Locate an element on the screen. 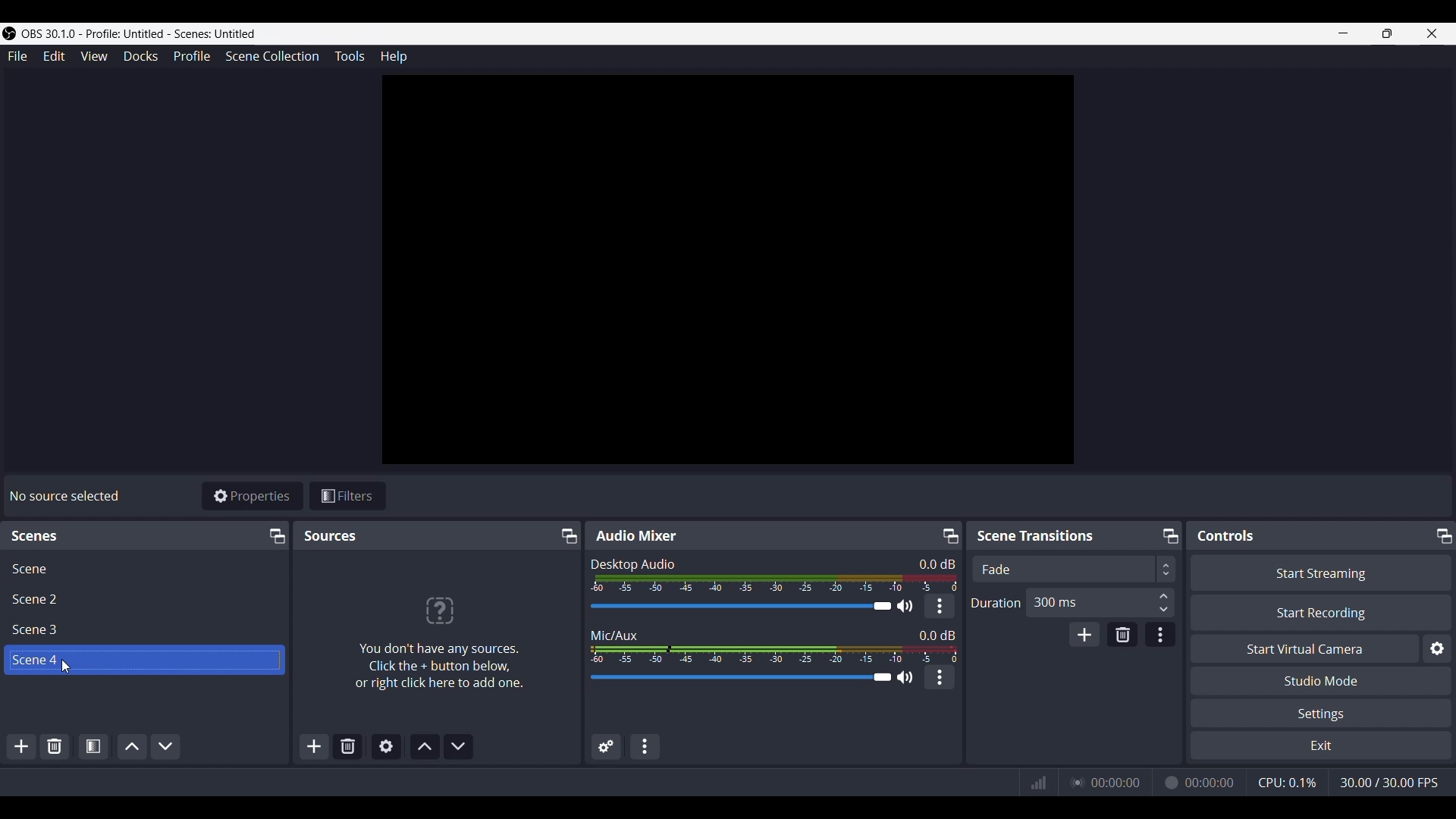 This screenshot has width=1456, height=819. Volume Meter is located at coordinates (777, 583).